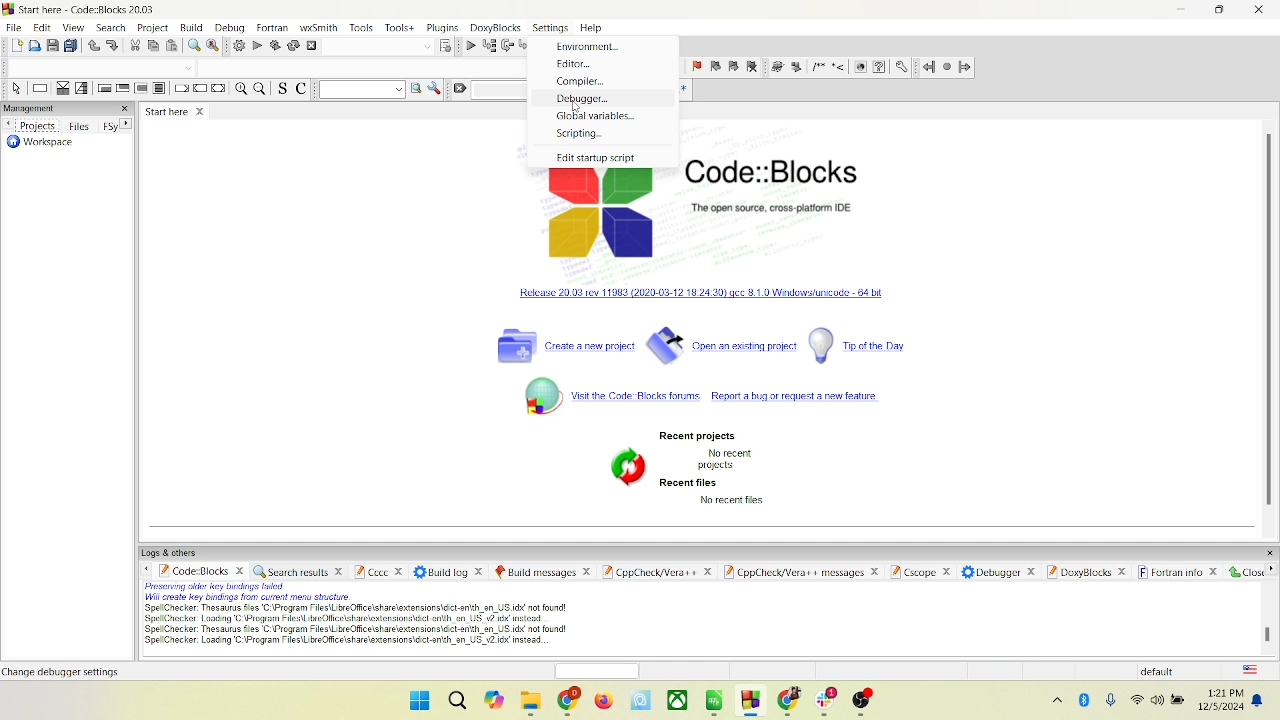 Image resolution: width=1280 pixels, height=720 pixels. What do you see at coordinates (116, 124) in the screenshot?
I see `Fsy` at bounding box center [116, 124].